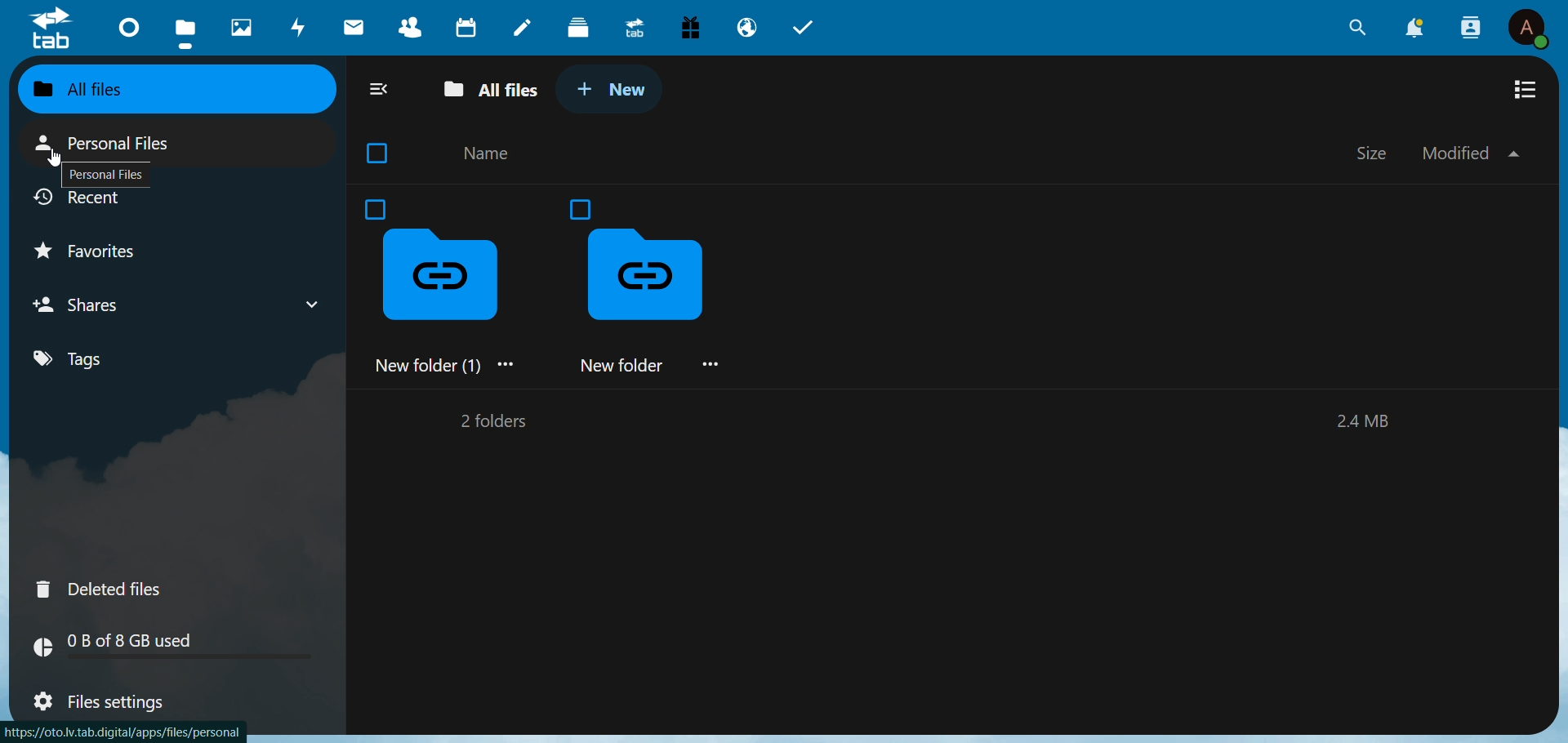  I want to click on dropdown, so click(313, 305).